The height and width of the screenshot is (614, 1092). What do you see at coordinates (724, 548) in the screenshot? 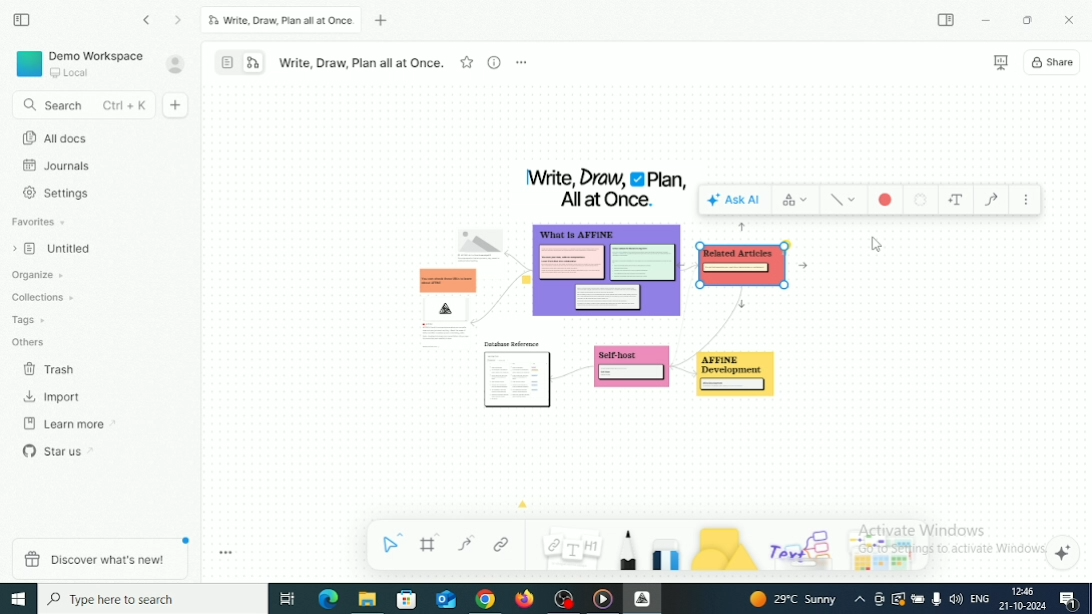
I see `Shape` at bounding box center [724, 548].